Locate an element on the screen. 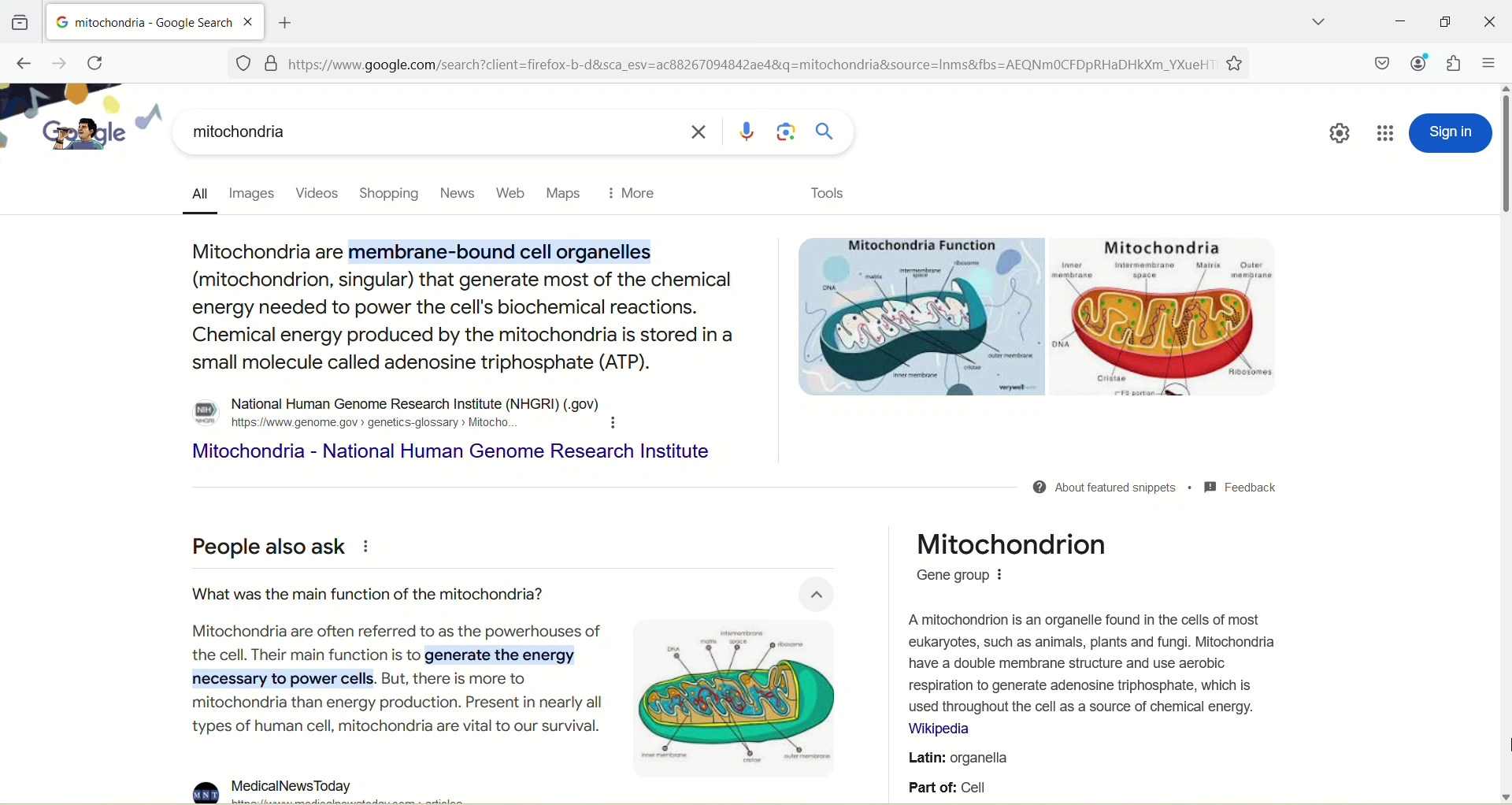 This screenshot has width=1512, height=805. images is located at coordinates (254, 195).